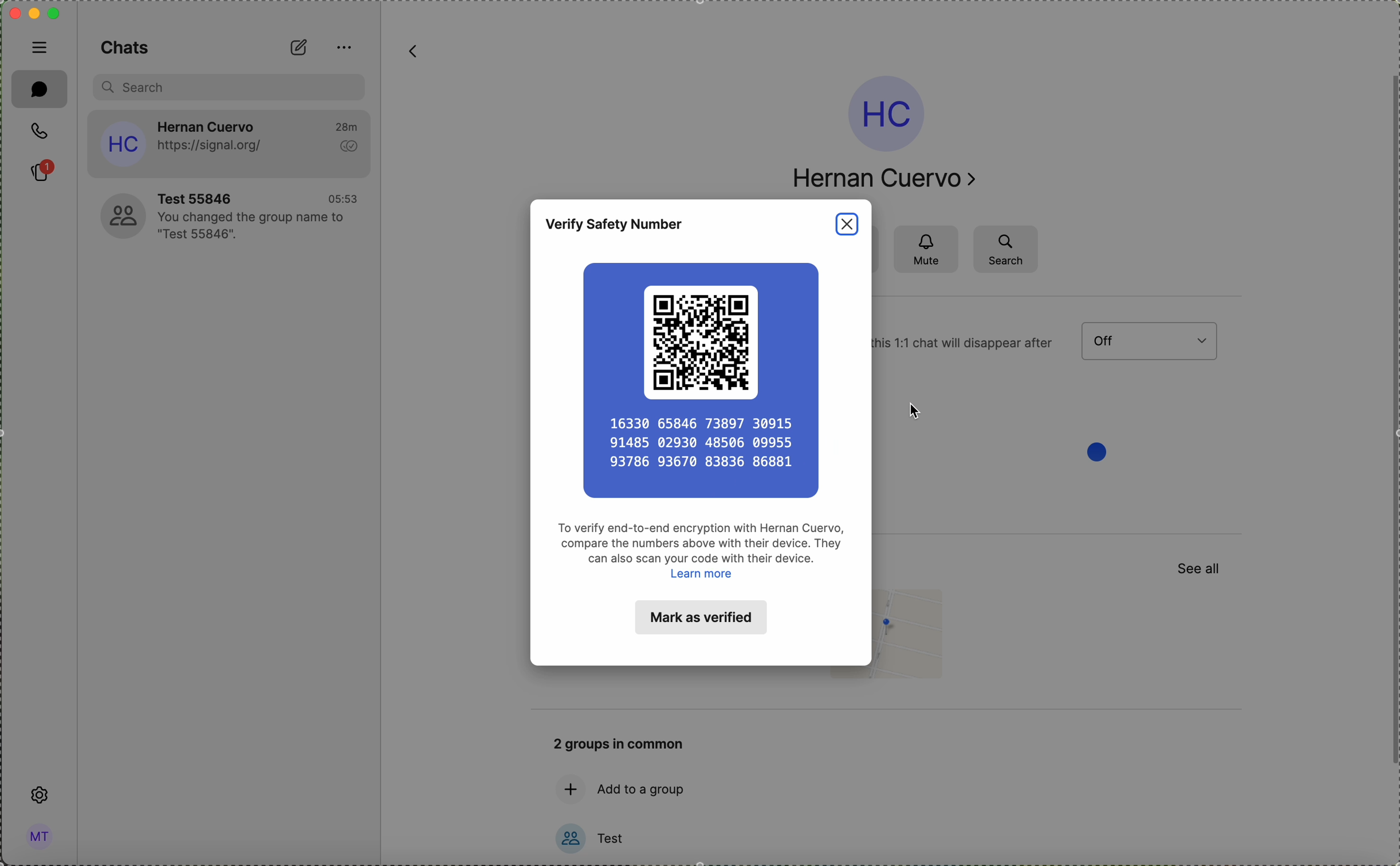 The image size is (1400, 866). I want to click on profile , so click(114, 215).